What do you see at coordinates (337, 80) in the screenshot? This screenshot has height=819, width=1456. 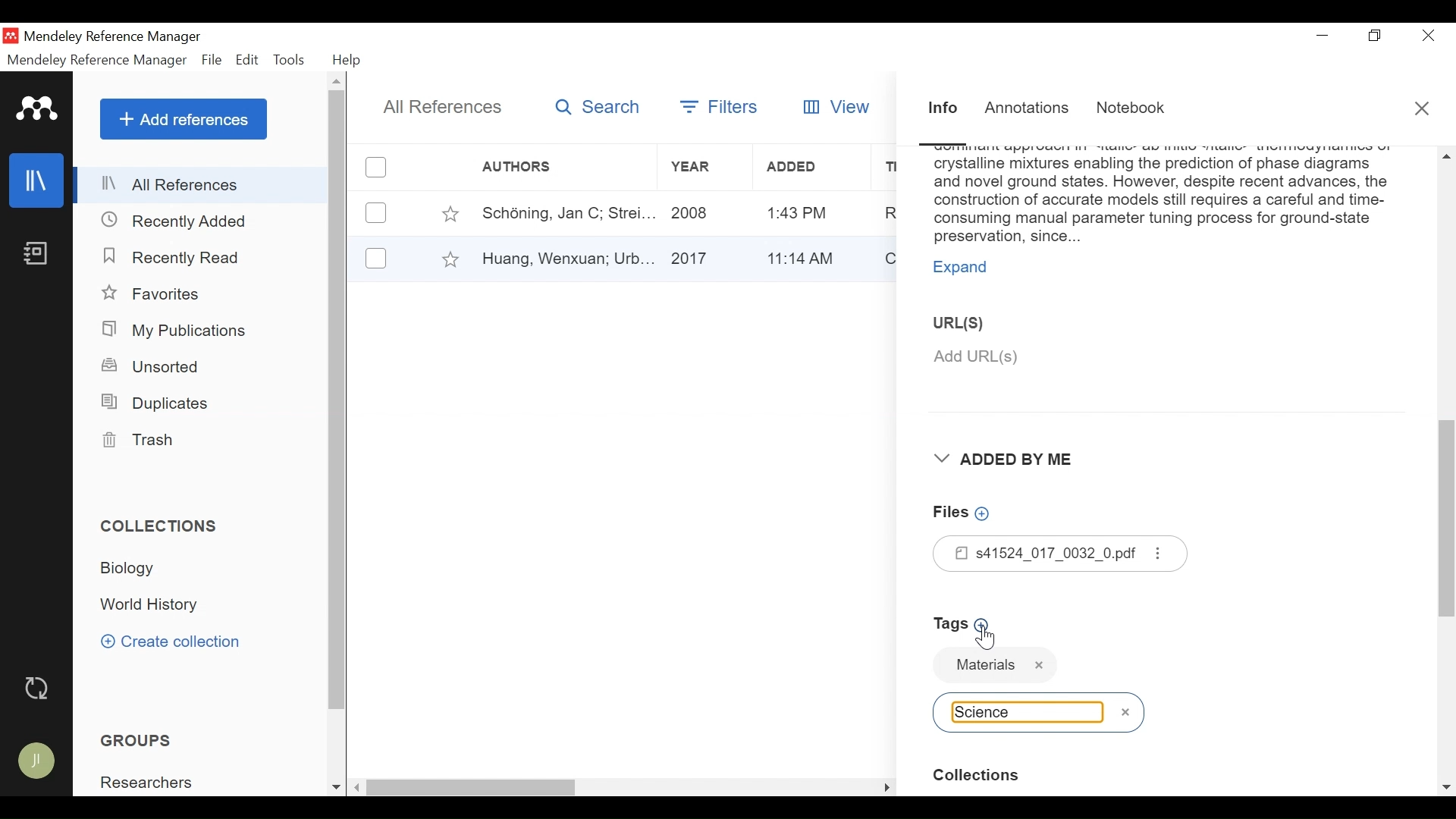 I see `Scroll up` at bounding box center [337, 80].